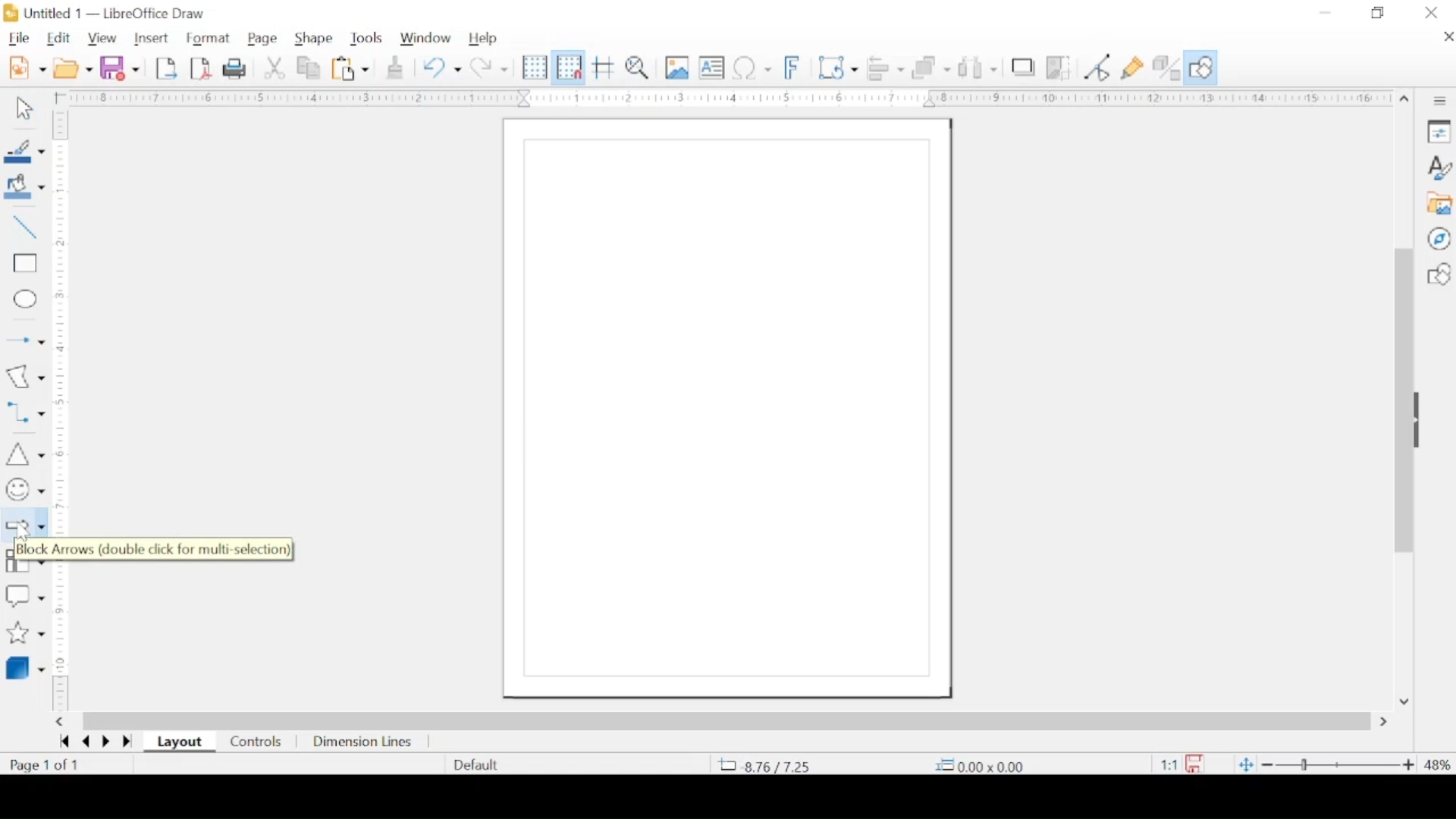 The image size is (1456, 819). Describe the element at coordinates (1202, 67) in the screenshot. I see `show draw functions` at that location.